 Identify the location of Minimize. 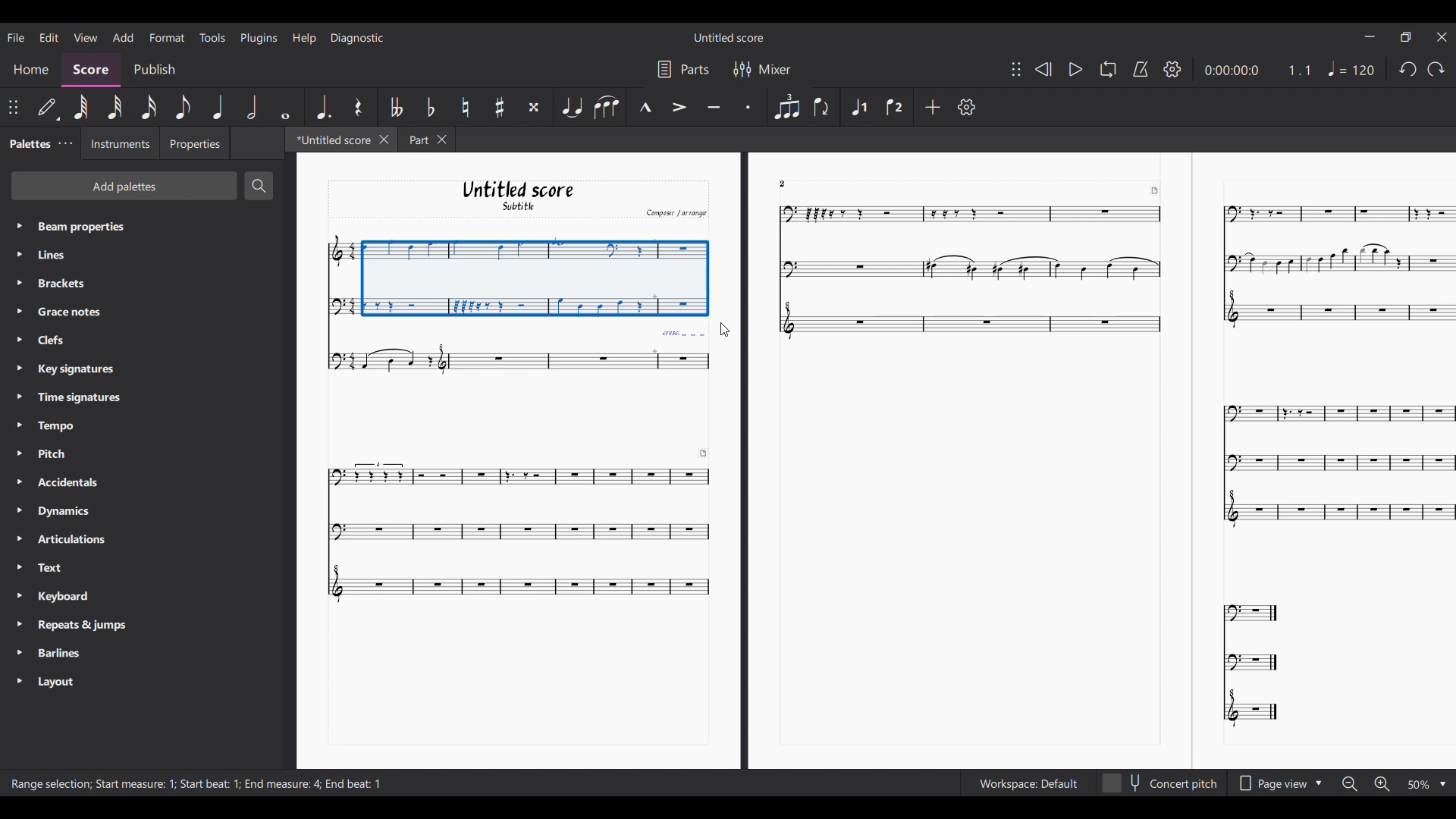
(1370, 36).